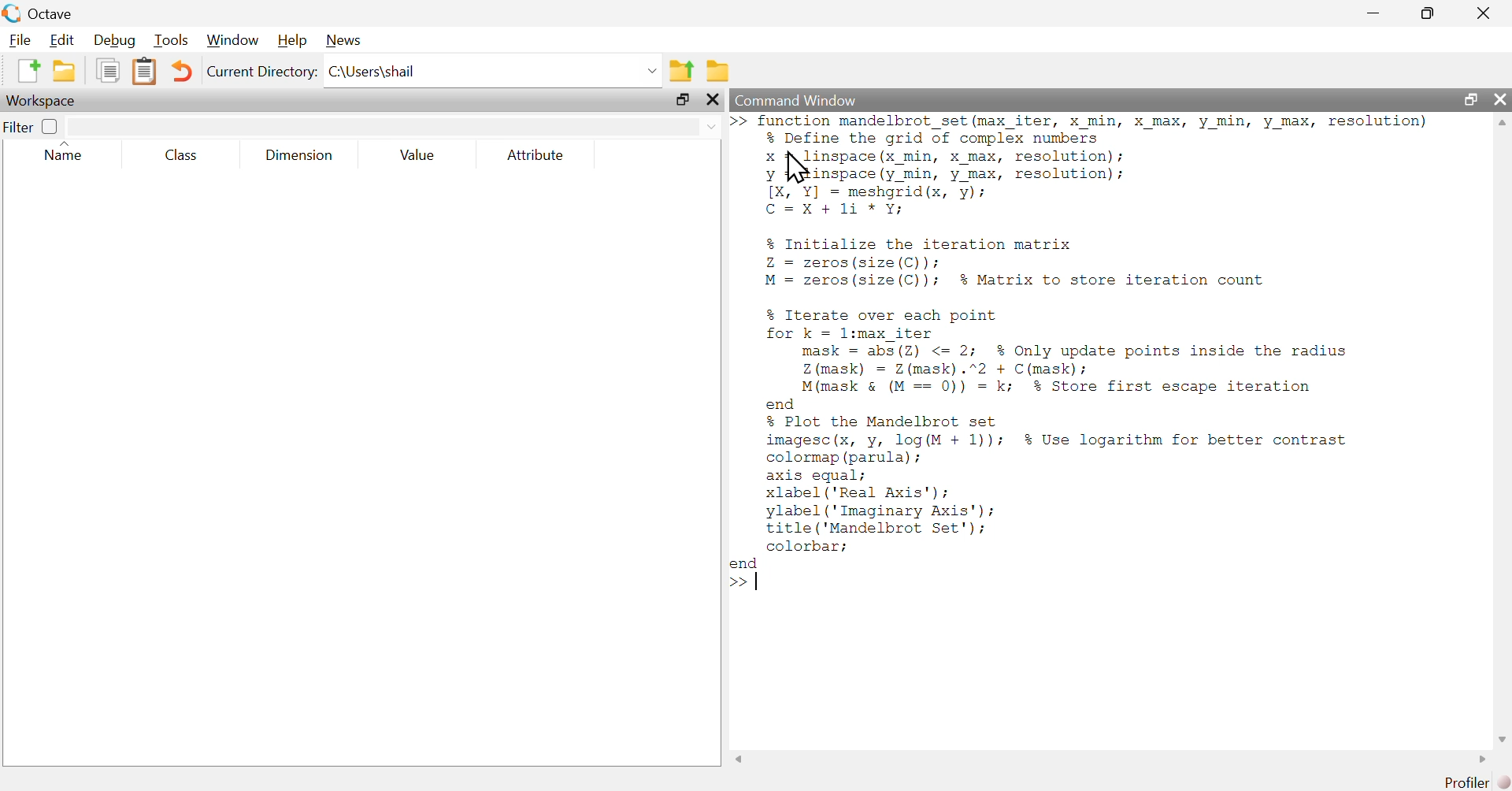 The image size is (1512, 791). Describe the element at coordinates (796, 169) in the screenshot. I see `cursor` at that location.